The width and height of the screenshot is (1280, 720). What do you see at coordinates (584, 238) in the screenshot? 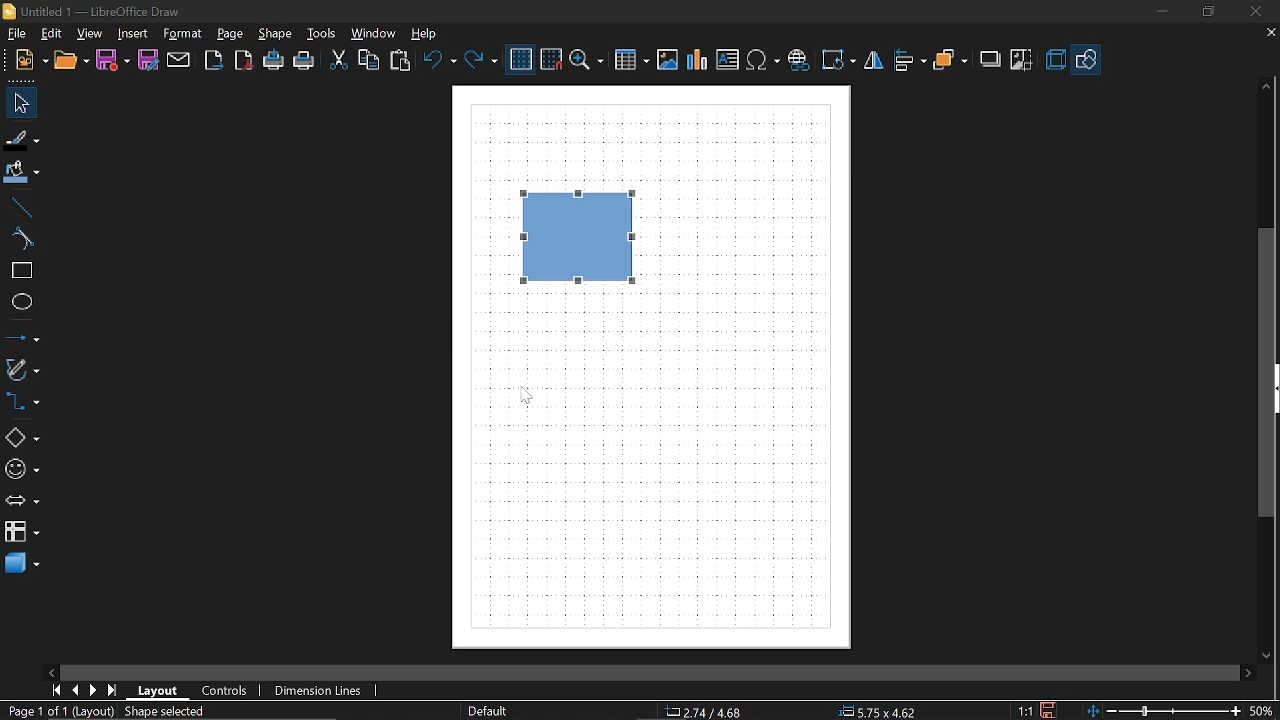
I see `Selected shape` at bounding box center [584, 238].